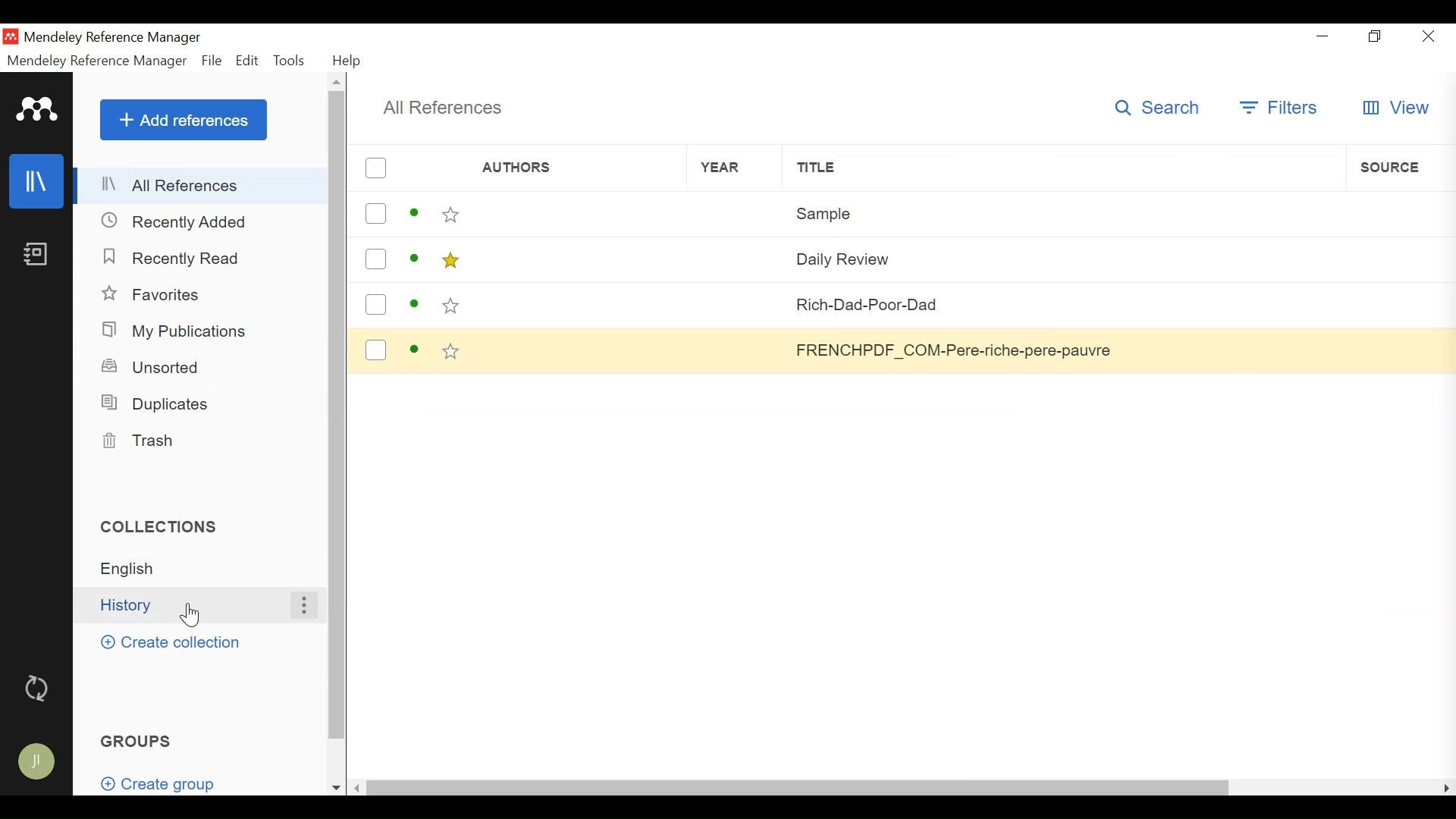 Image resolution: width=1456 pixels, height=819 pixels. Describe the element at coordinates (212, 61) in the screenshot. I see `File` at that location.